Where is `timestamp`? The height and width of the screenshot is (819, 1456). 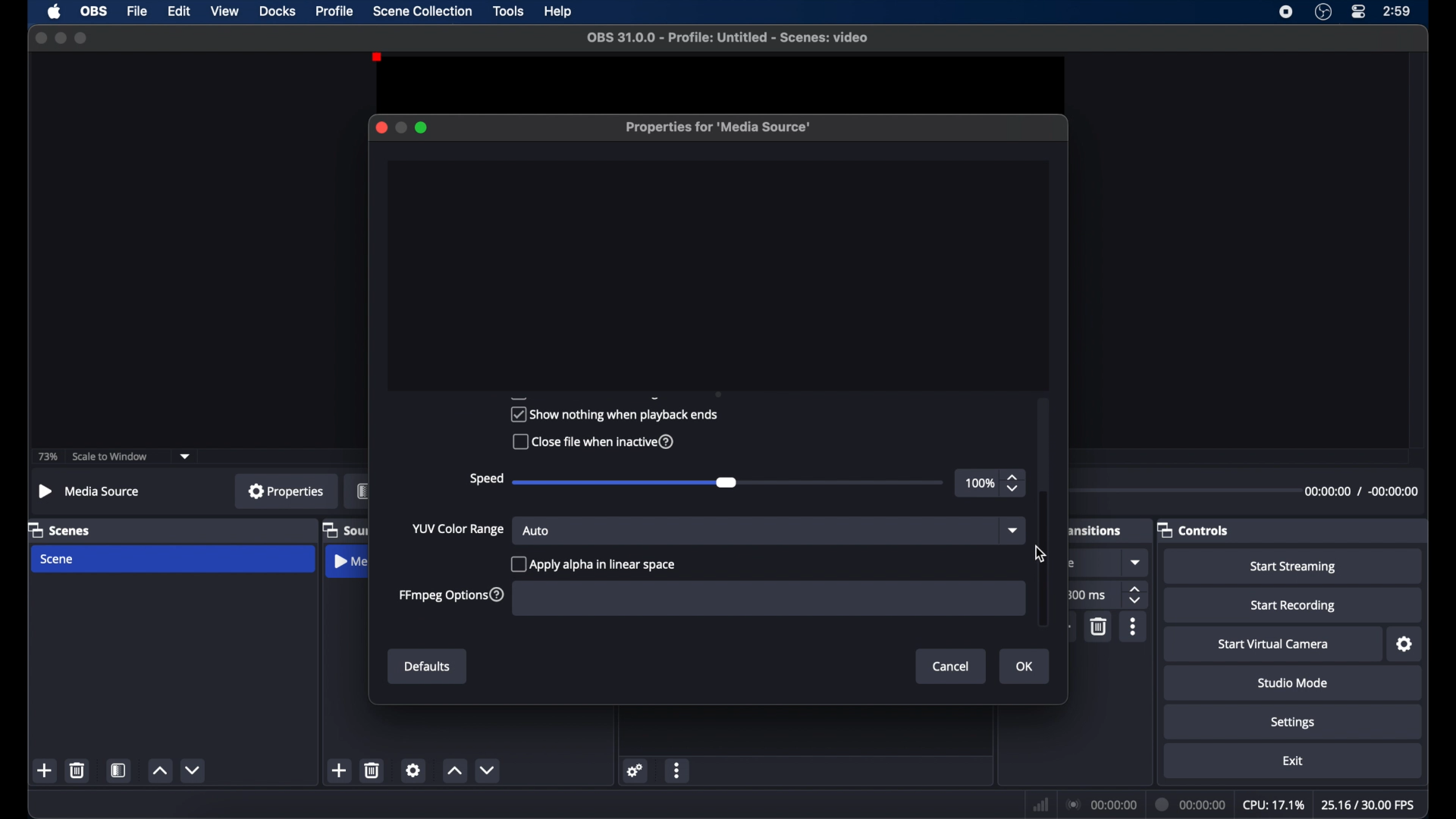 timestamp is located at coordinates (1363, 491).